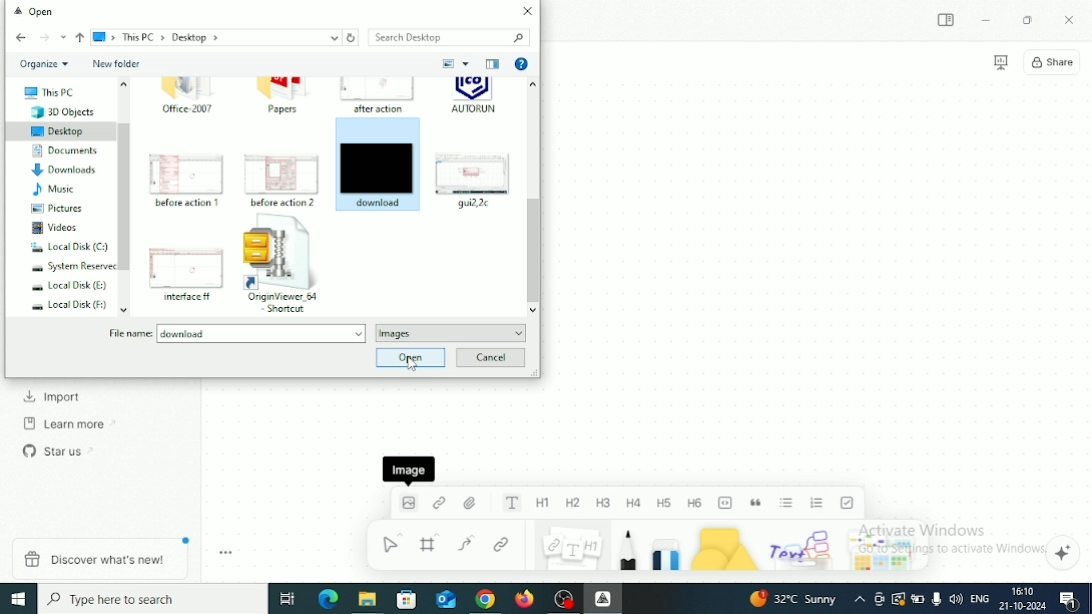 This screenshot has height=614, width=1092. What do you see at coordinates (239, 334) in the screenshot?
I see `File name:` at bounding box center [239, 334].